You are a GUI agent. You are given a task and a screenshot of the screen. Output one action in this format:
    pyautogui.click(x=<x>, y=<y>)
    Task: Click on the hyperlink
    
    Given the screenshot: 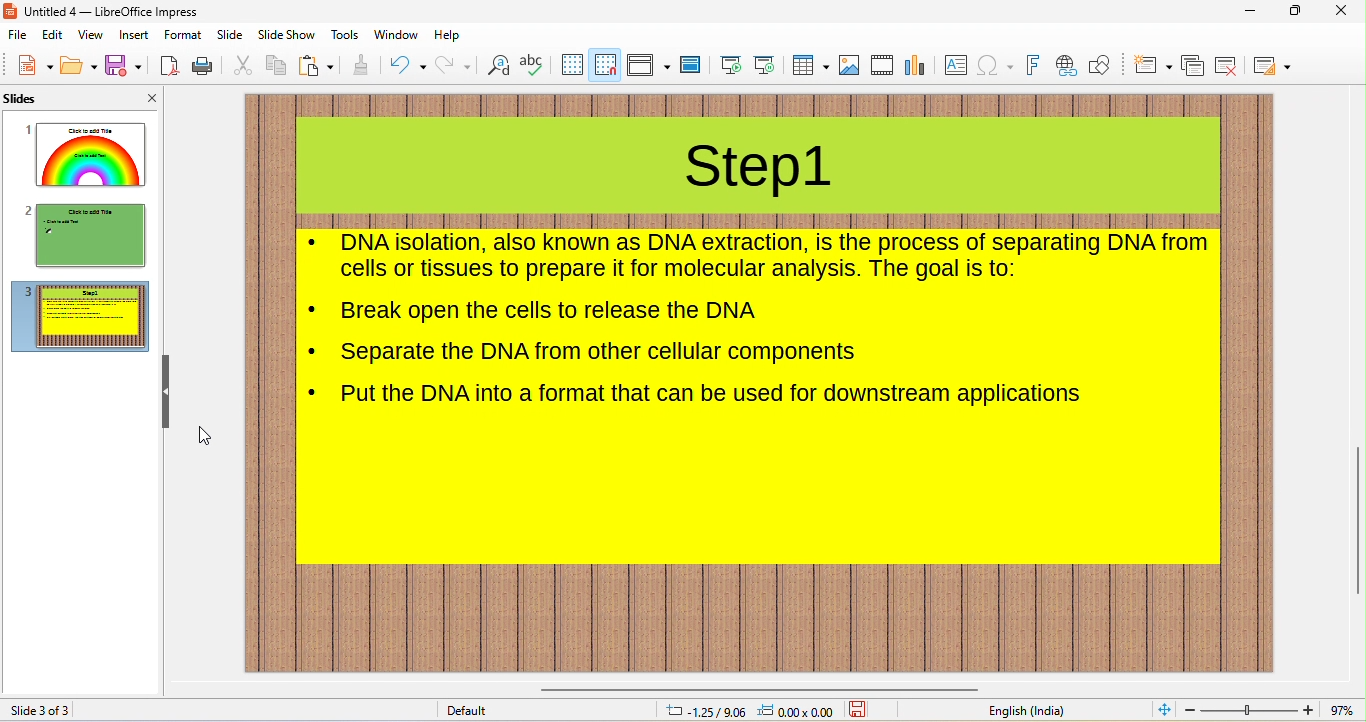 What is the action you would take?
    pyautogui.click(x=1066, y=67)
    